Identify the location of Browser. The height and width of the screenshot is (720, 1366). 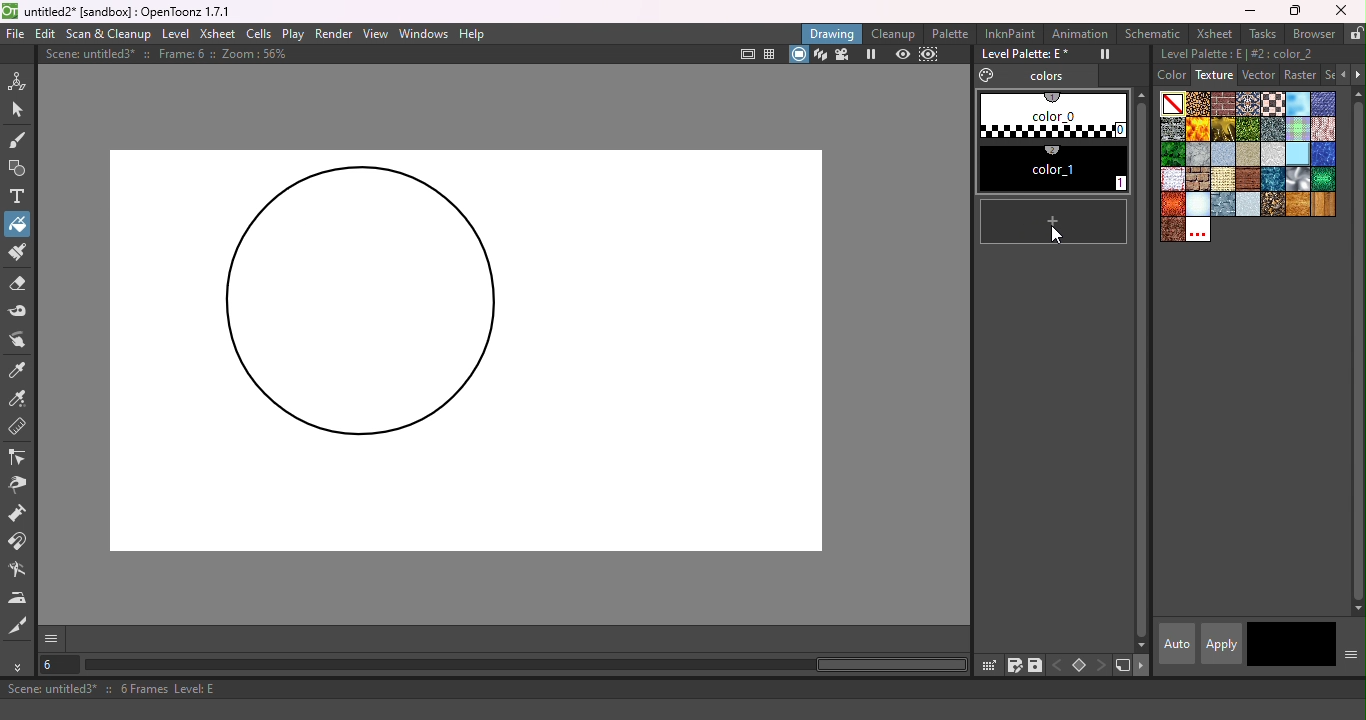
(1312, 35).